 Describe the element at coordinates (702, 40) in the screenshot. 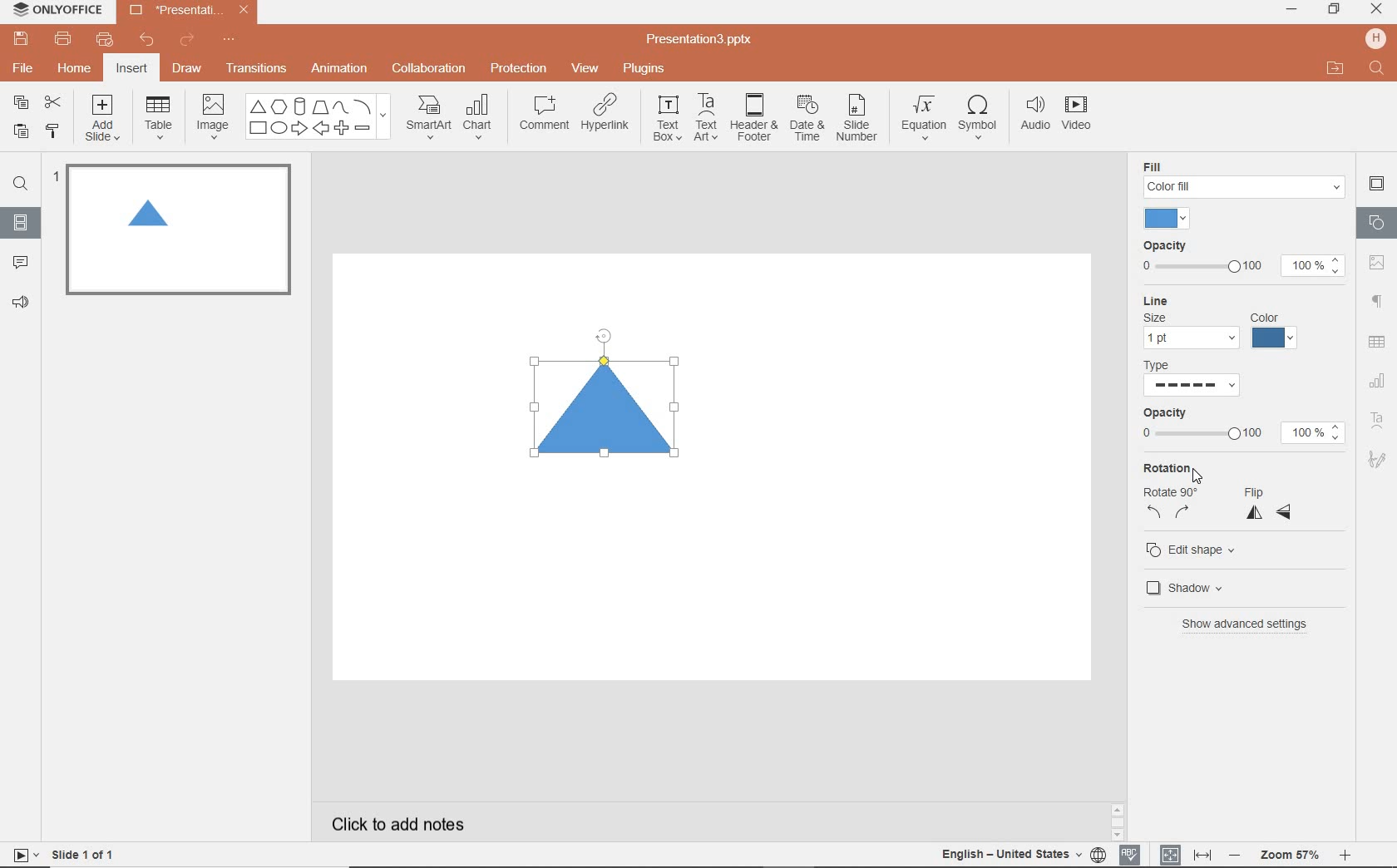

I see `FILE NAME` at that location.